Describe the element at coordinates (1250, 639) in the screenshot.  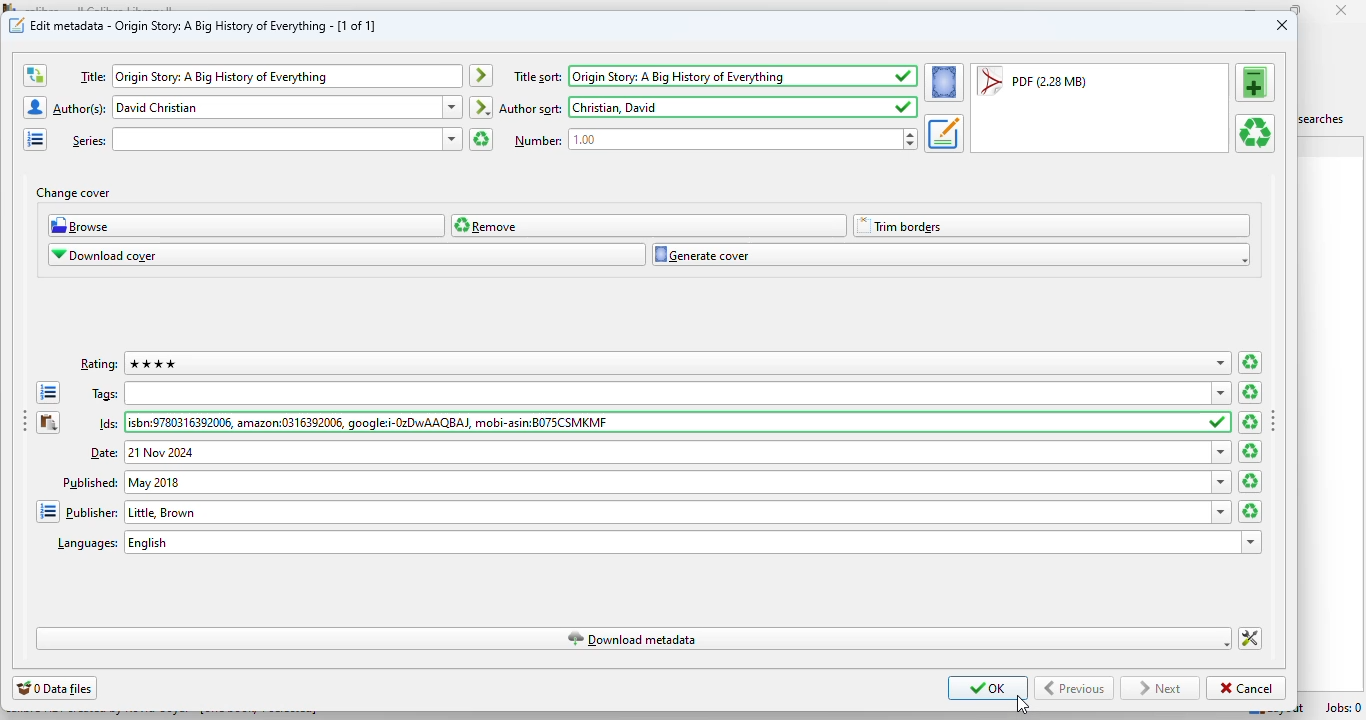
I see `change how calibre downloads metadata` at that location.